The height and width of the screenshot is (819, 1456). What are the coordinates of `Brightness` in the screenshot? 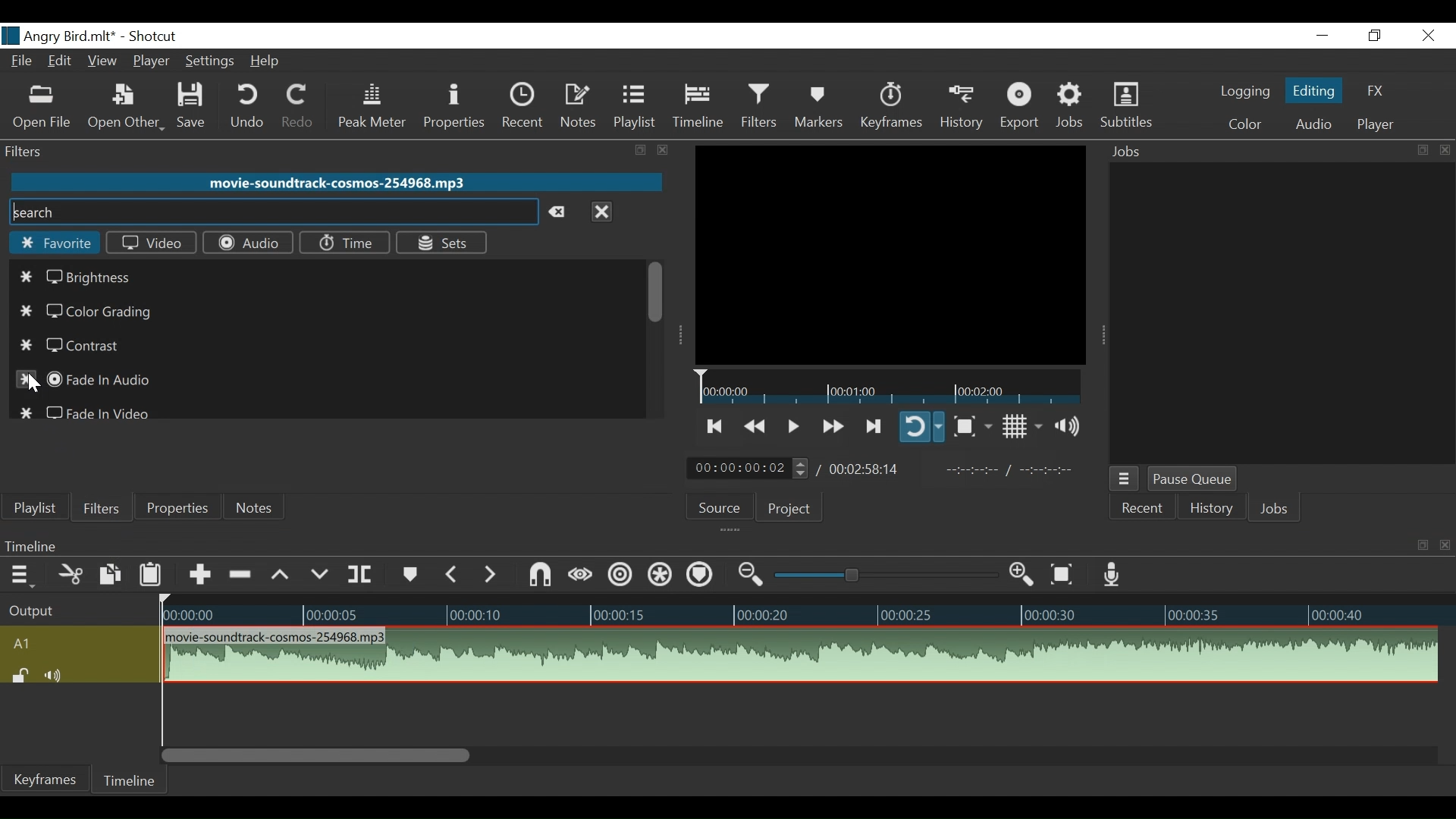 It's located at (80, 278).